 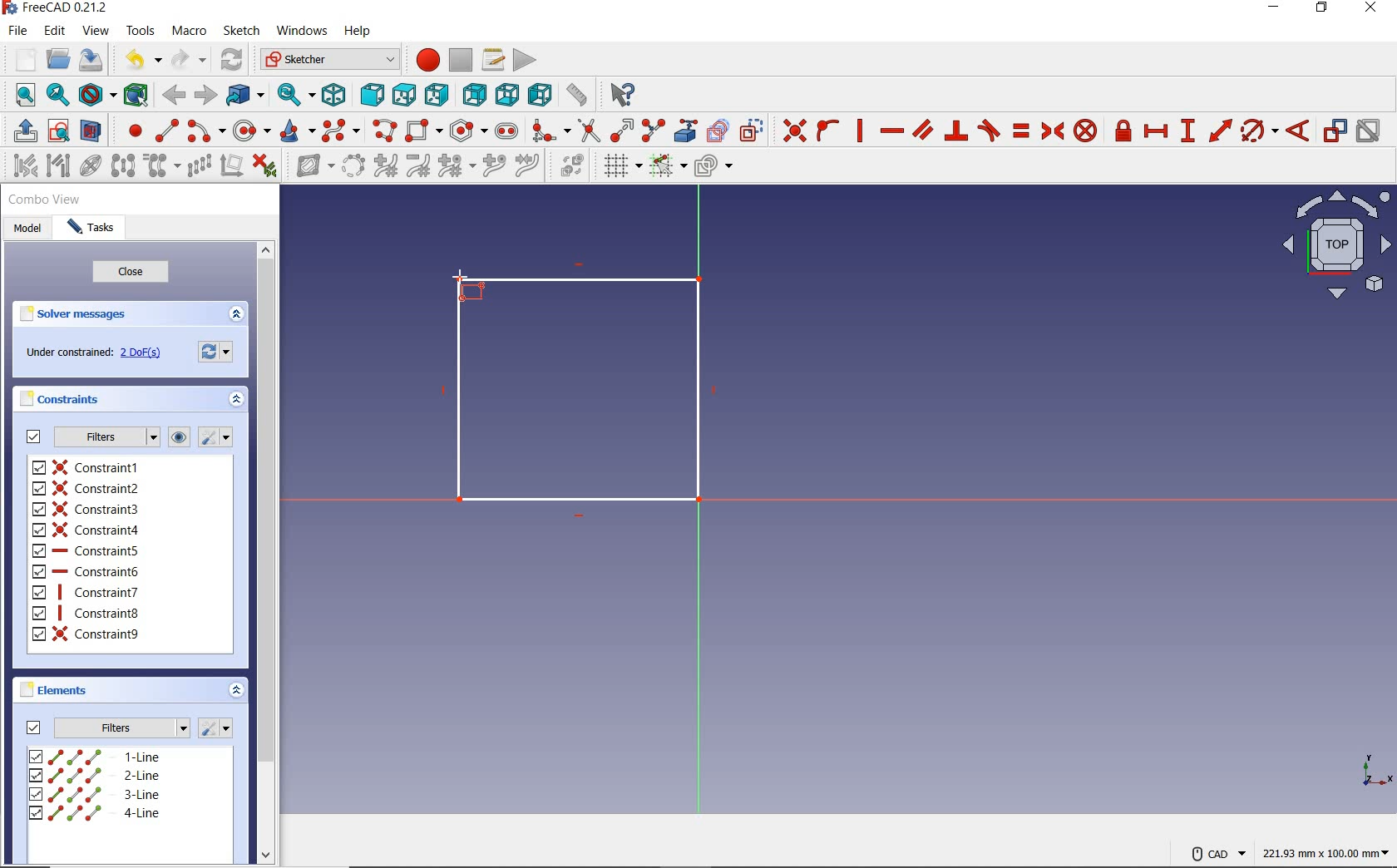 What do you see at coordinates (1376, 771) in the screenshot?
I see `XYZ SCALE` at bounding box center [1376, 771].